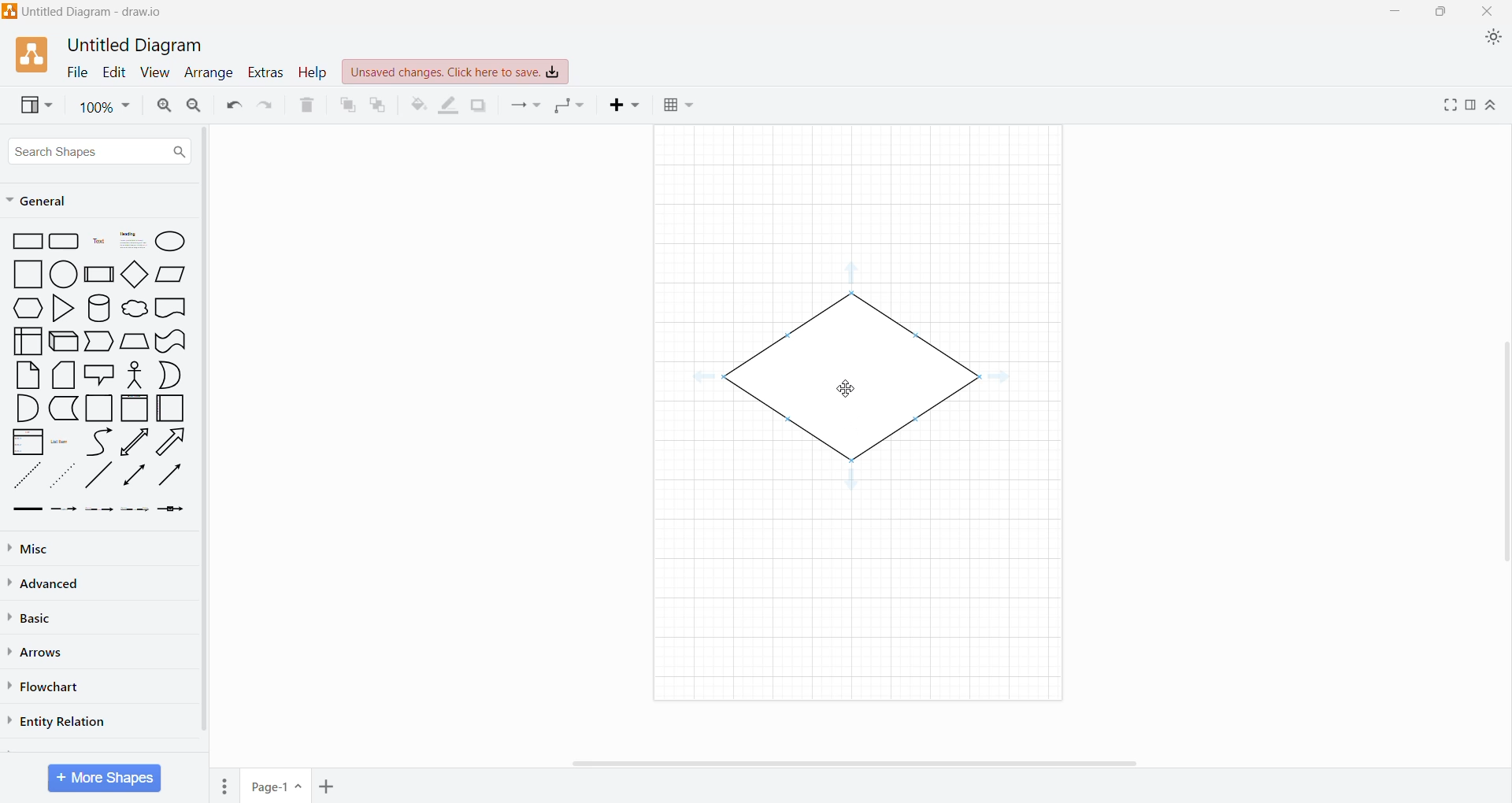 The width and height of the screenshot is (1512, 803). What do you see at coordinates (265, 72) in the screenshot?
I see `Extras` at bounding box center [265, 72].